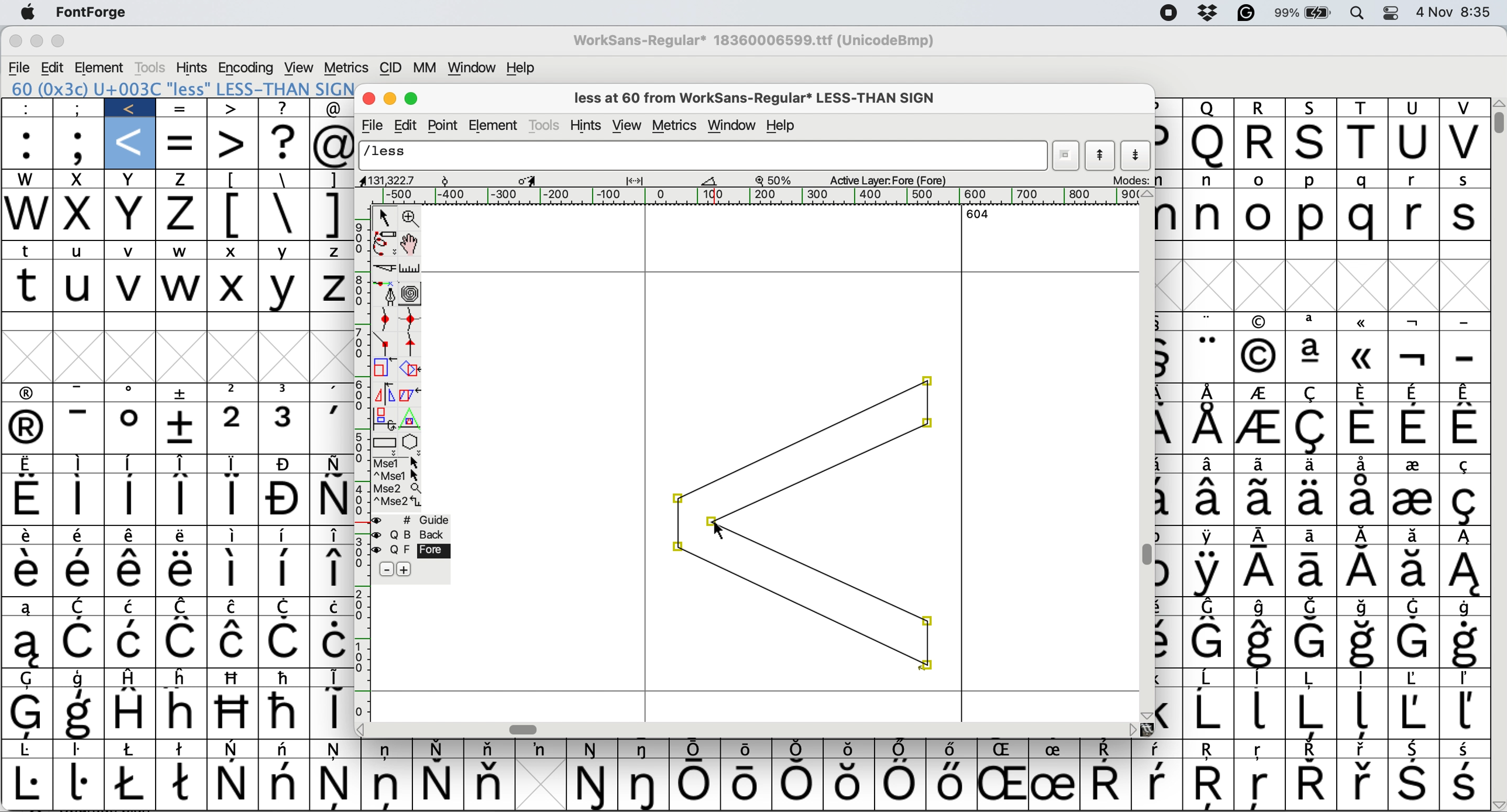 The image size is (1507, 812). Describe the element at coordinates (1170, 465) in the screenshot. I see `Symbol` at that location.